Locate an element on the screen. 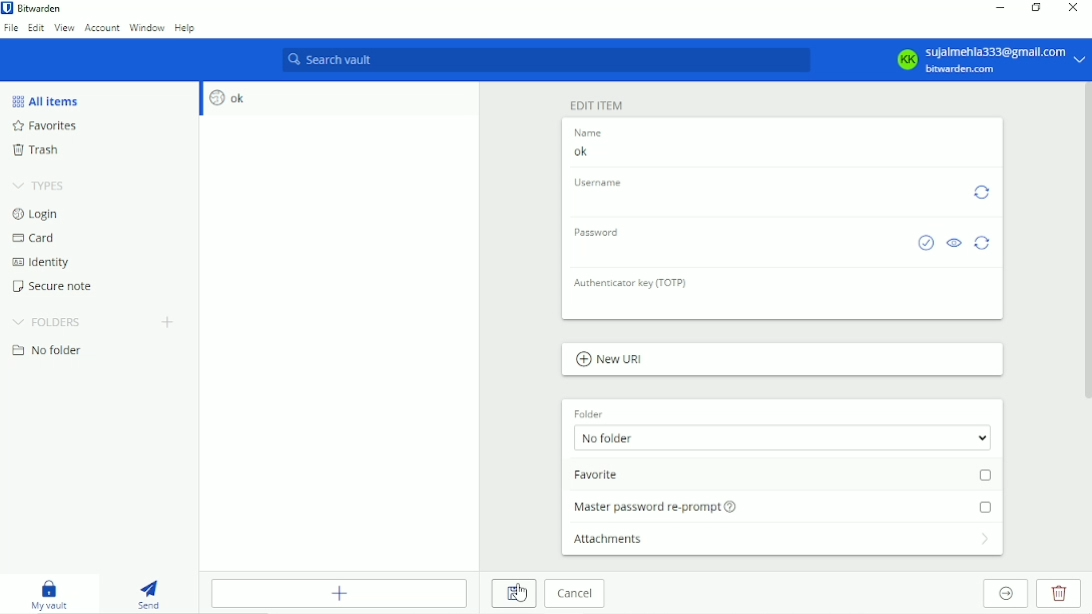 Image resolution: width=1092 pixels, height=614 pixels. add New URL is located at coordinates (611, 360).